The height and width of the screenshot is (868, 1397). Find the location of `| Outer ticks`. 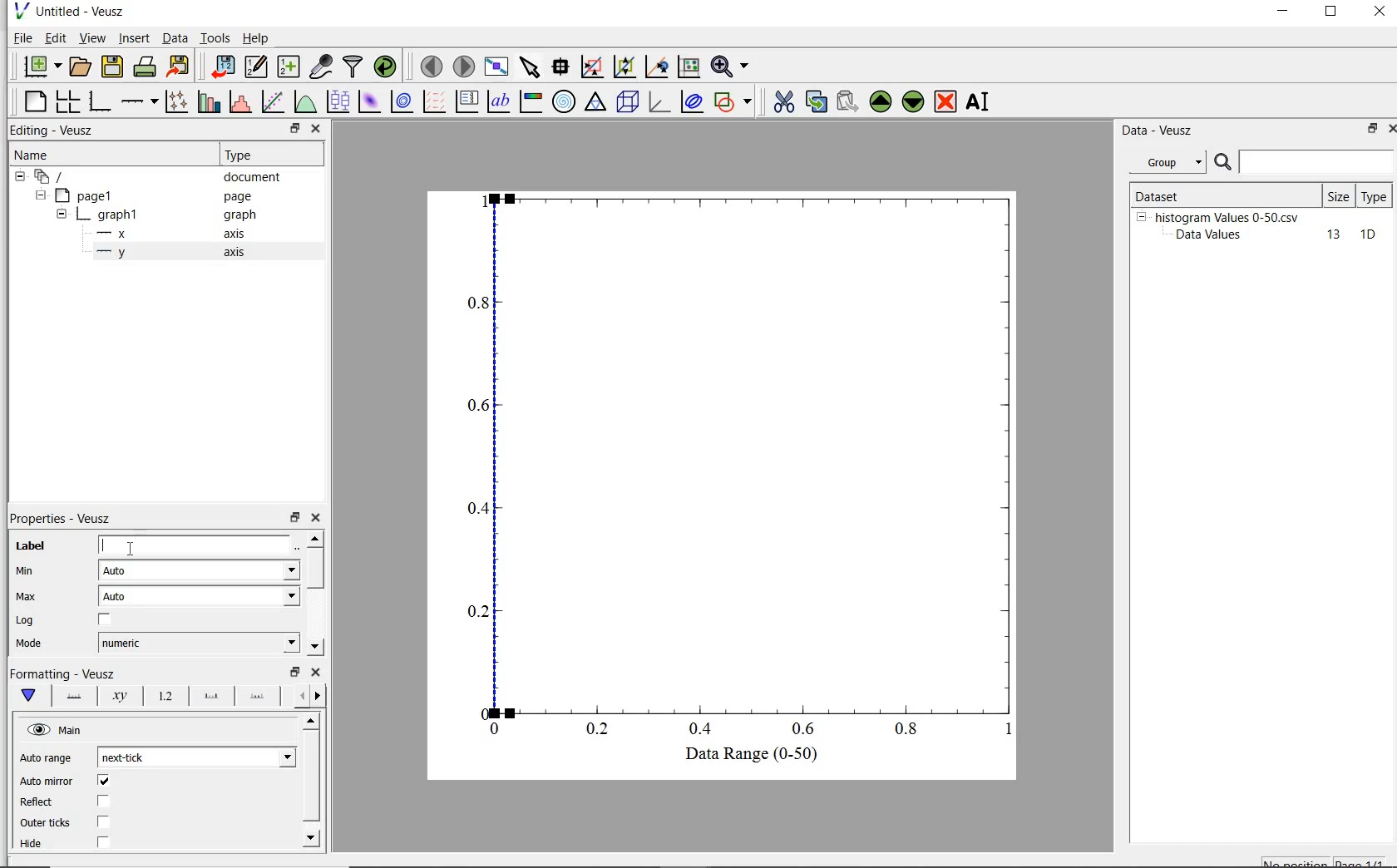

| Outer ticks is located at coordinates (47, 822).